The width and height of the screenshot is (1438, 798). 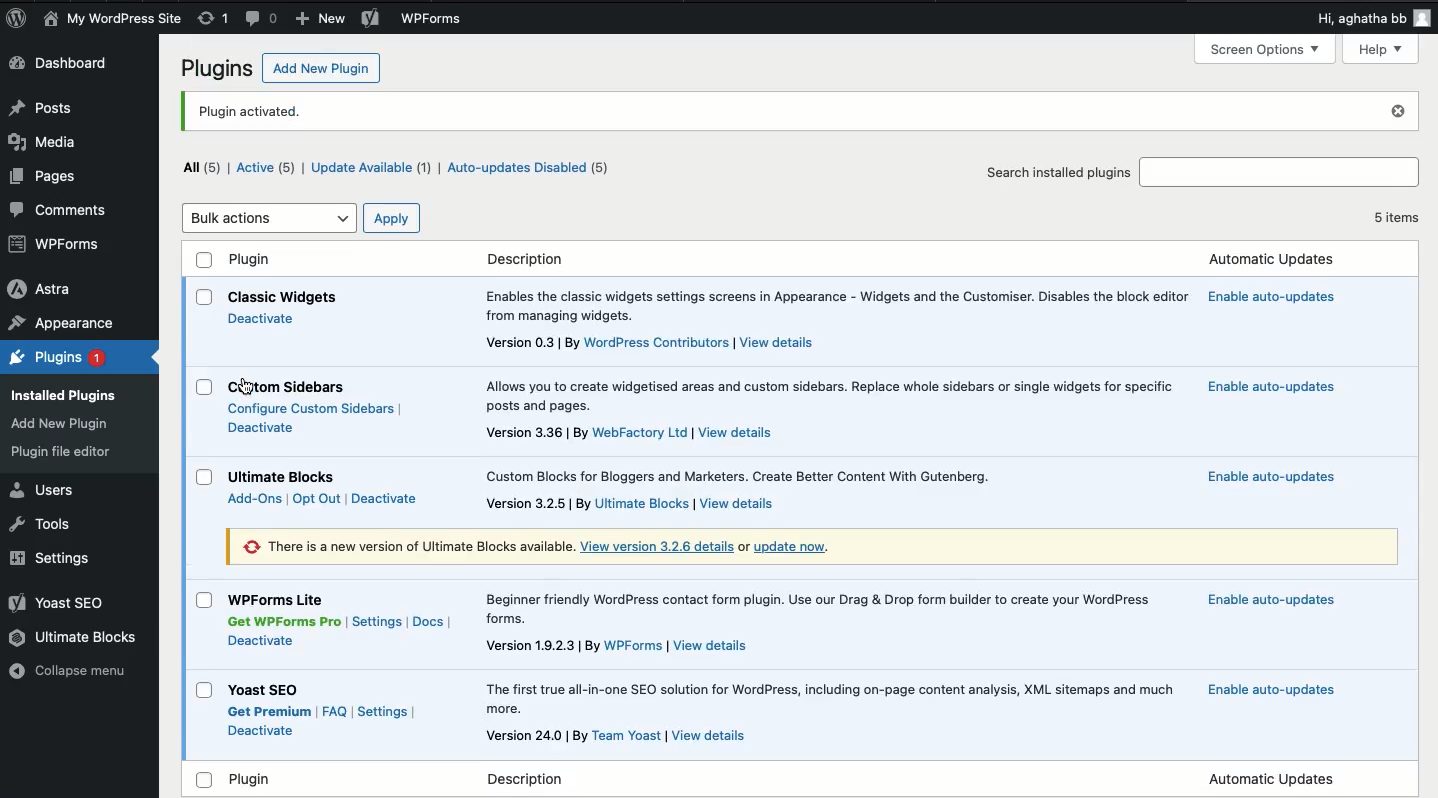 What do you see at coordinates (205, 478) in the screenshot?
I see `checkbox` at bounding box center [205, 478].